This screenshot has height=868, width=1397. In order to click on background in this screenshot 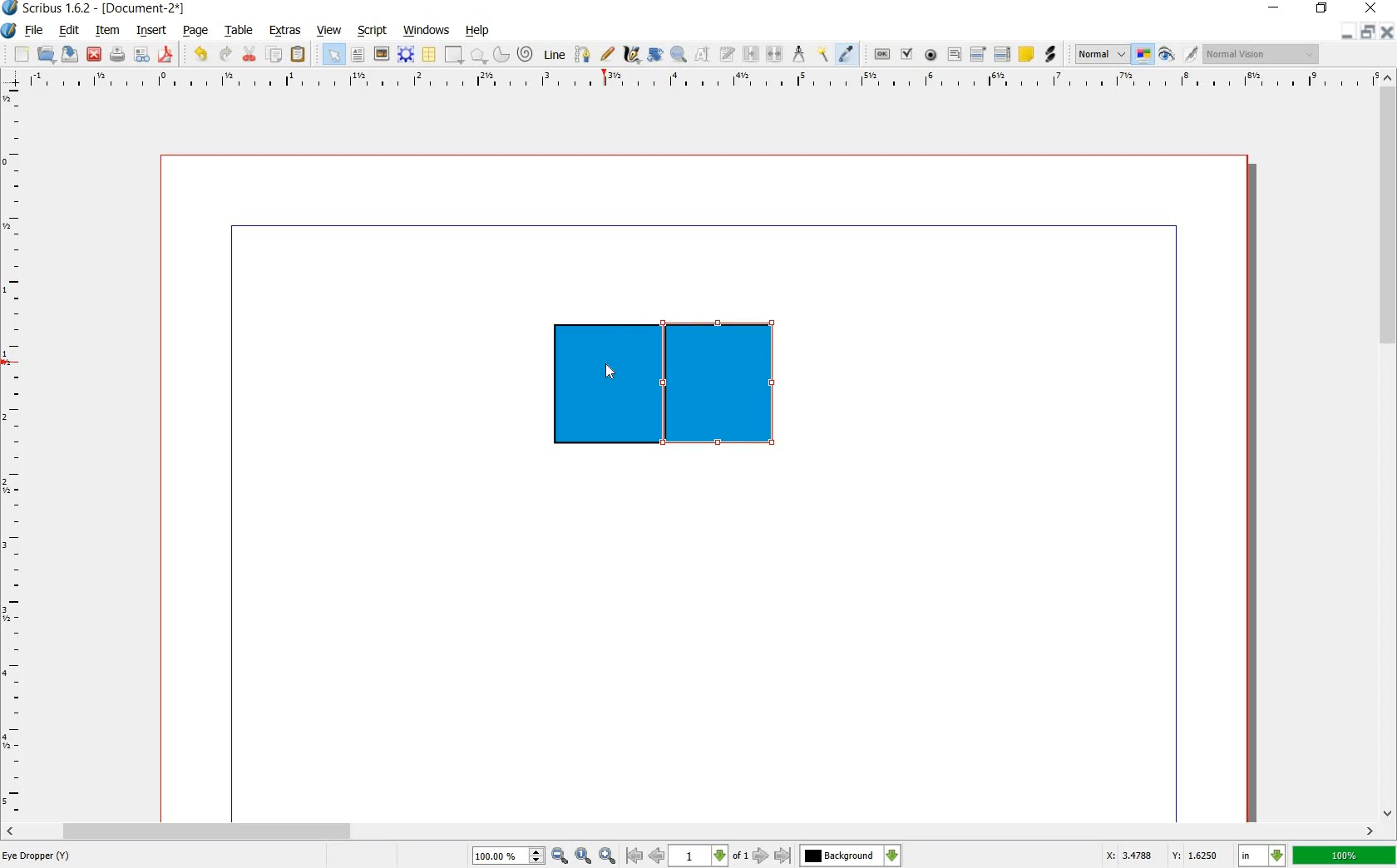, I will do `click(852, 855)`.